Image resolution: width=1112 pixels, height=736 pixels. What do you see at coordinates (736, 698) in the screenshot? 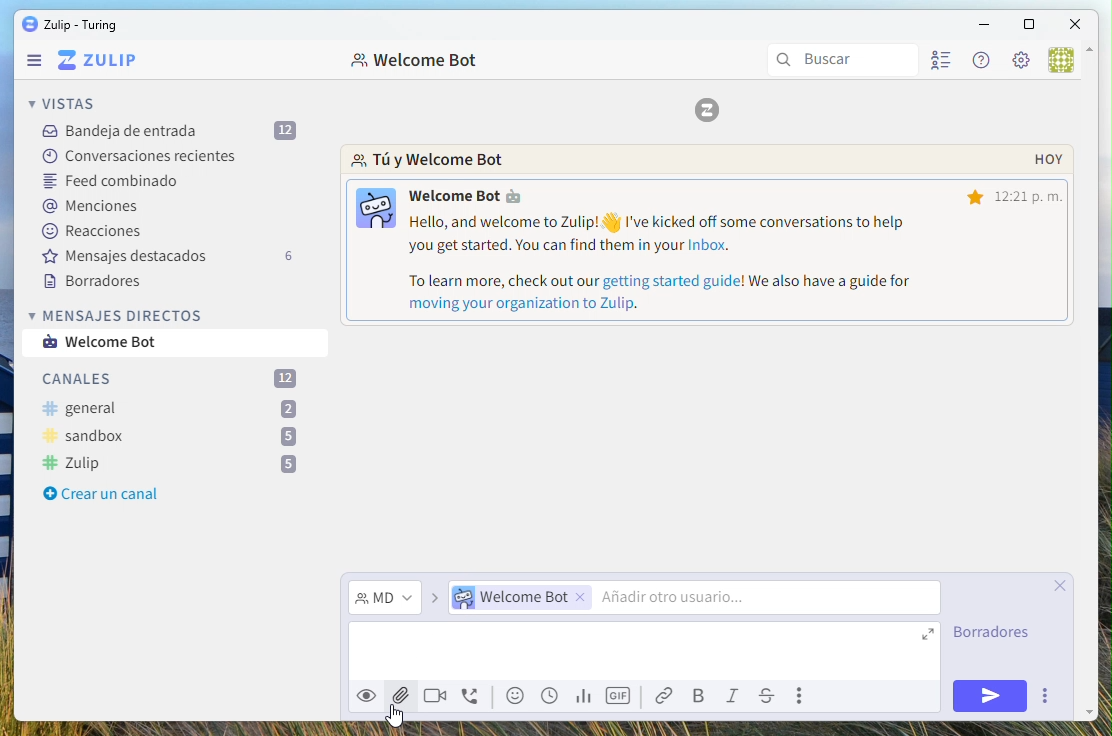
I see `italic` at bounding box center [736, 698].